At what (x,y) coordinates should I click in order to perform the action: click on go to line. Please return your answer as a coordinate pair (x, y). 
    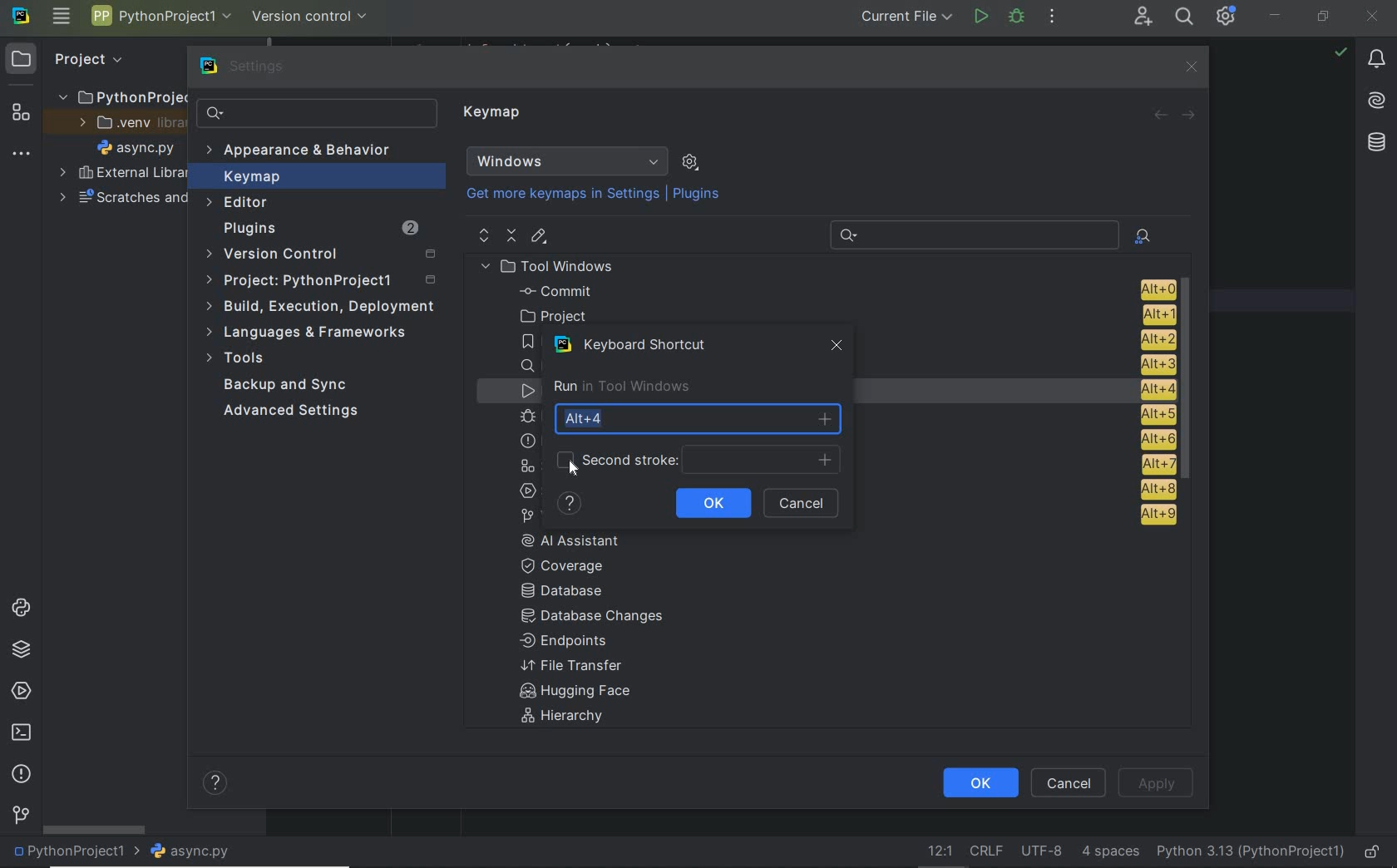
    Looking at the image, I should click on (937, 852).